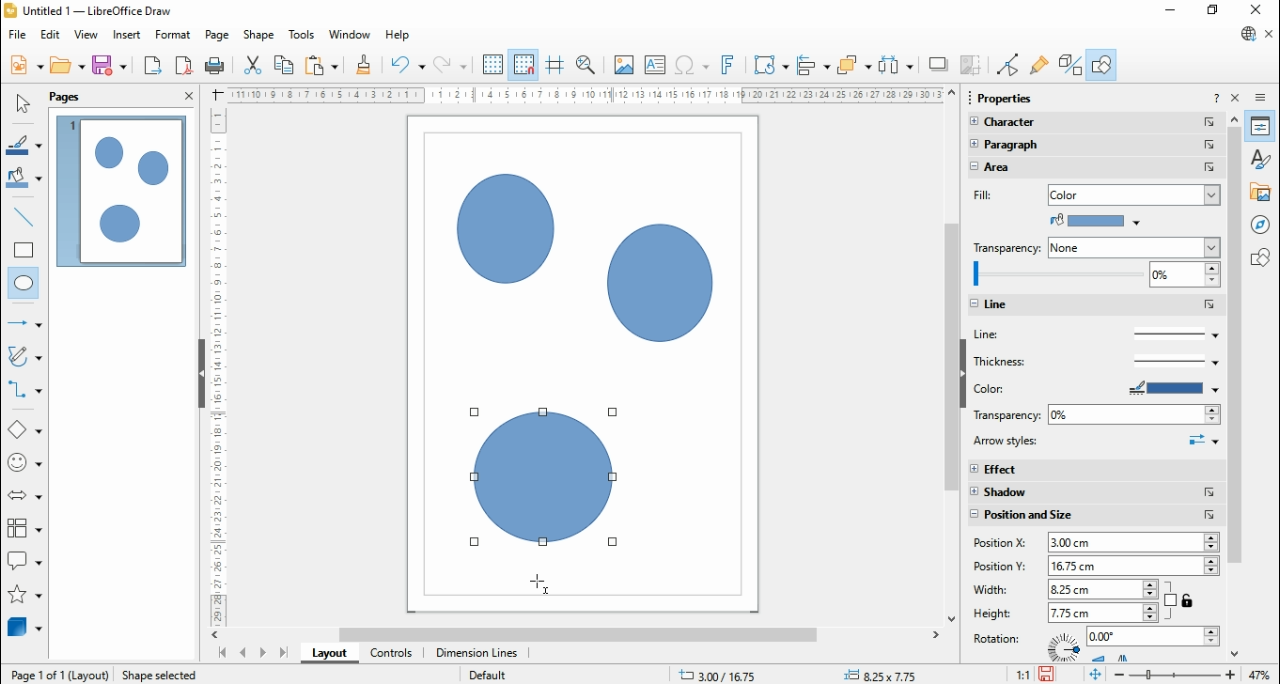 The image size is (1280, 684). Describe the element at coordinates (450, 65) in the screenshot. I see `redo` at that location.